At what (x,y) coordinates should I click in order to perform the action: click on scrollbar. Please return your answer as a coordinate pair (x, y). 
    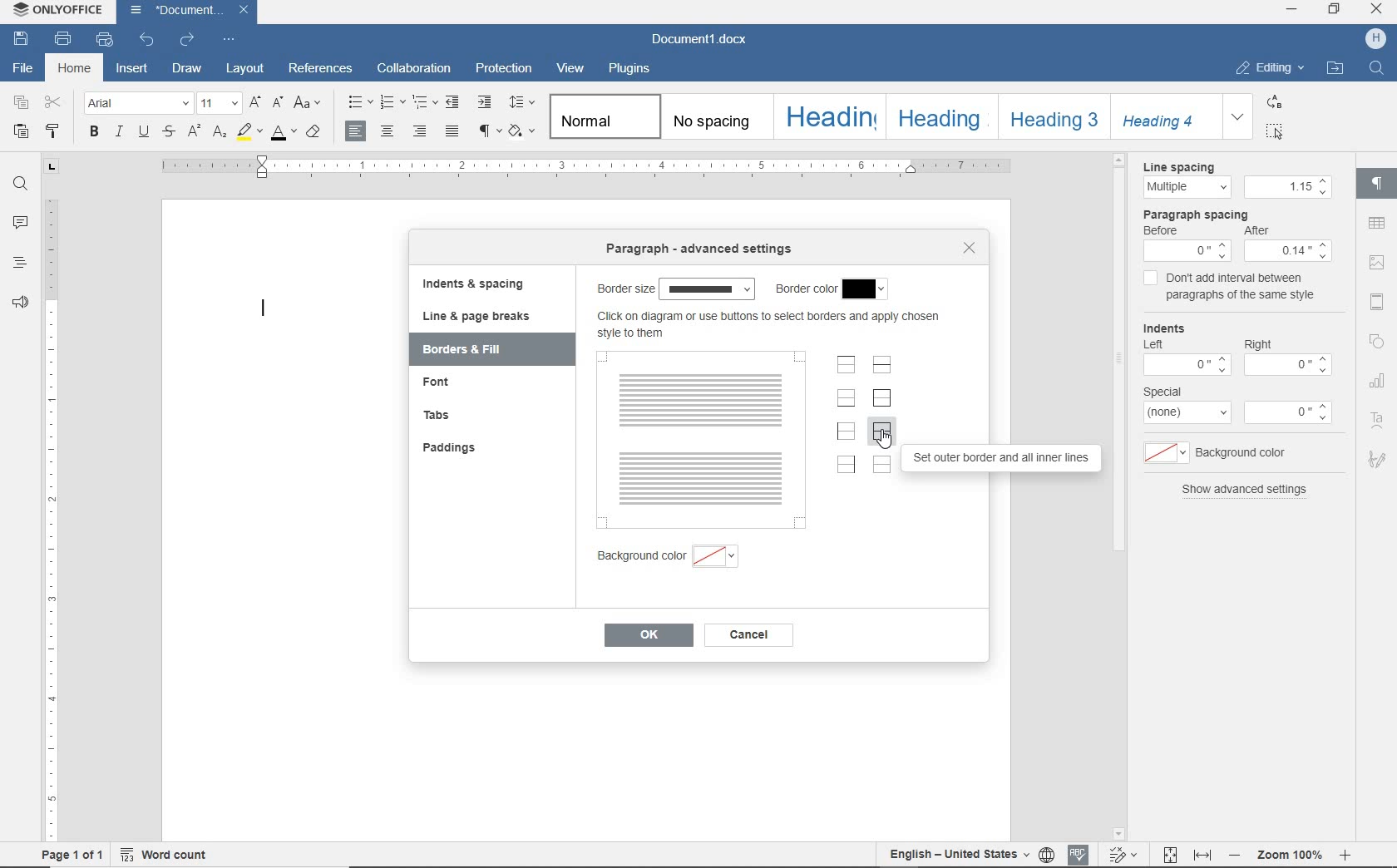
    Looking at the image, I should click on (1114, 354).